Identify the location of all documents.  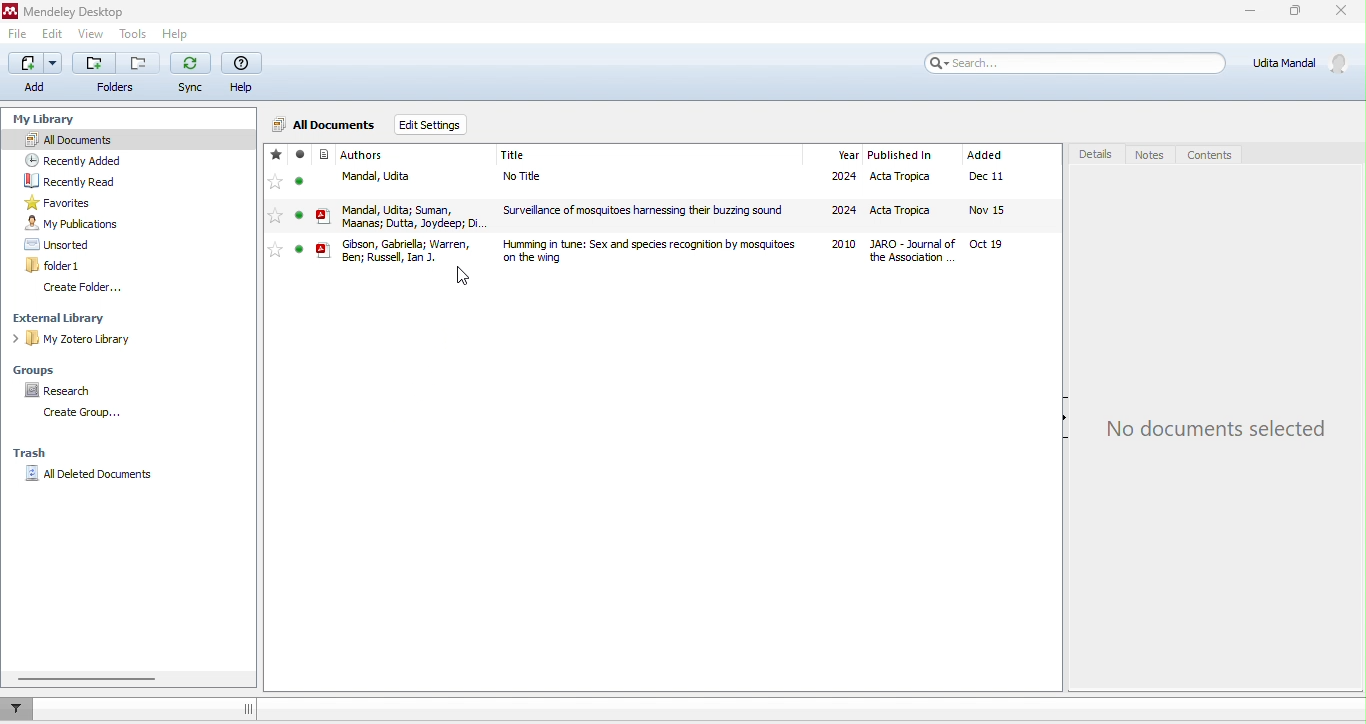
(325, 122).